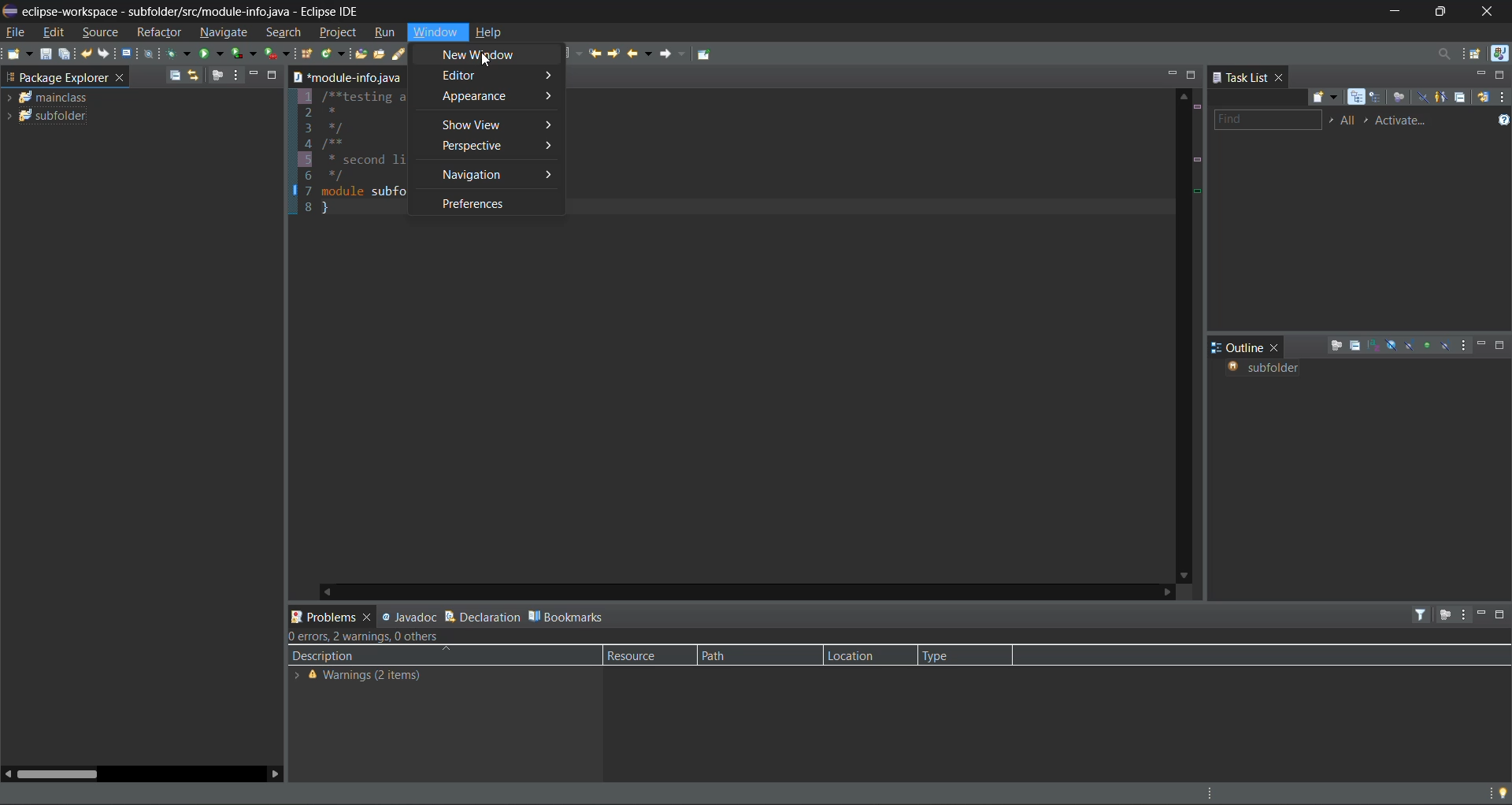 The height and width of the screenshot is (805, 1512). I want to click on new, so click(17, 54).